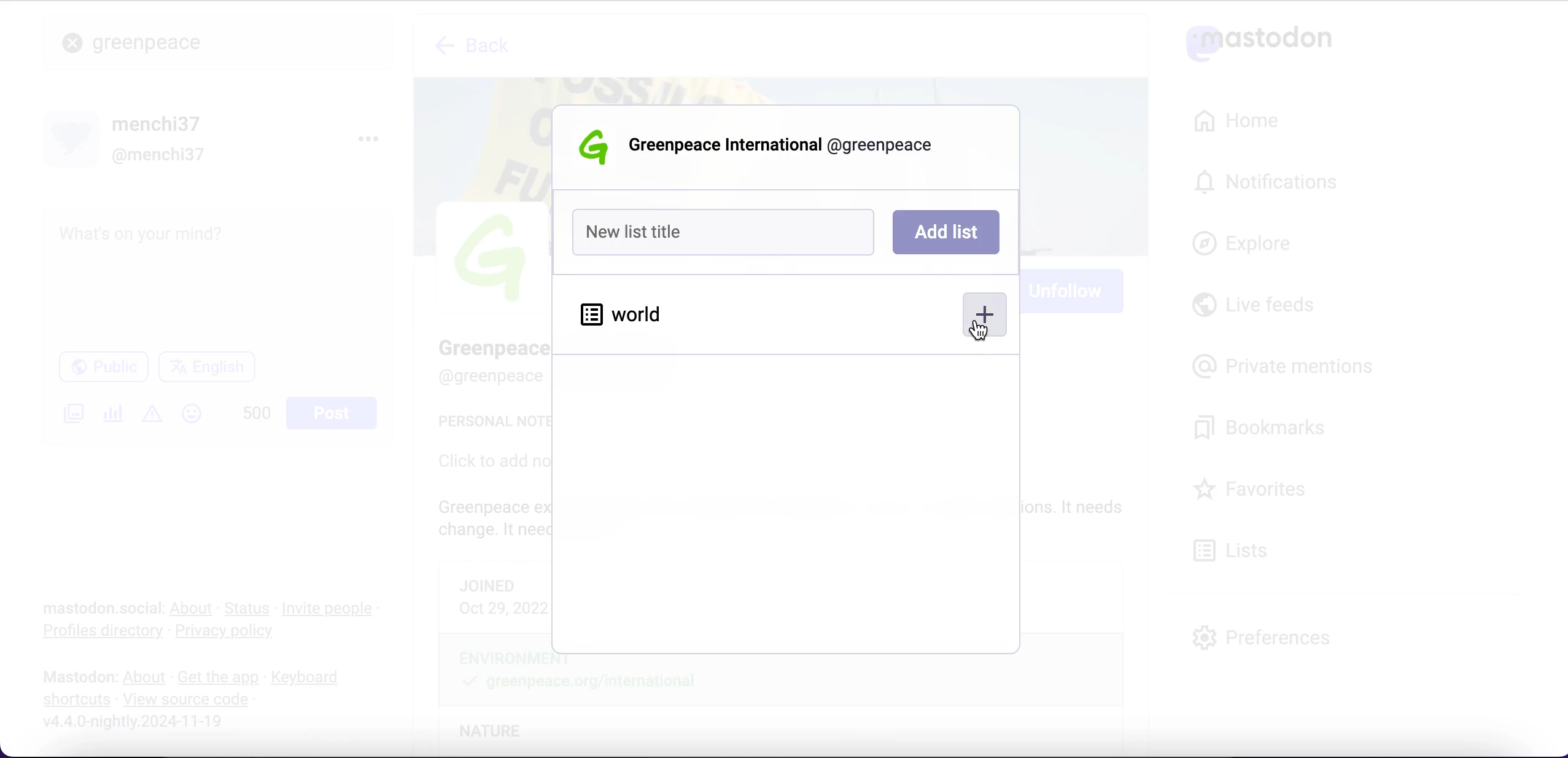  I want to click on Greenpeace logo, so click(597, 147).